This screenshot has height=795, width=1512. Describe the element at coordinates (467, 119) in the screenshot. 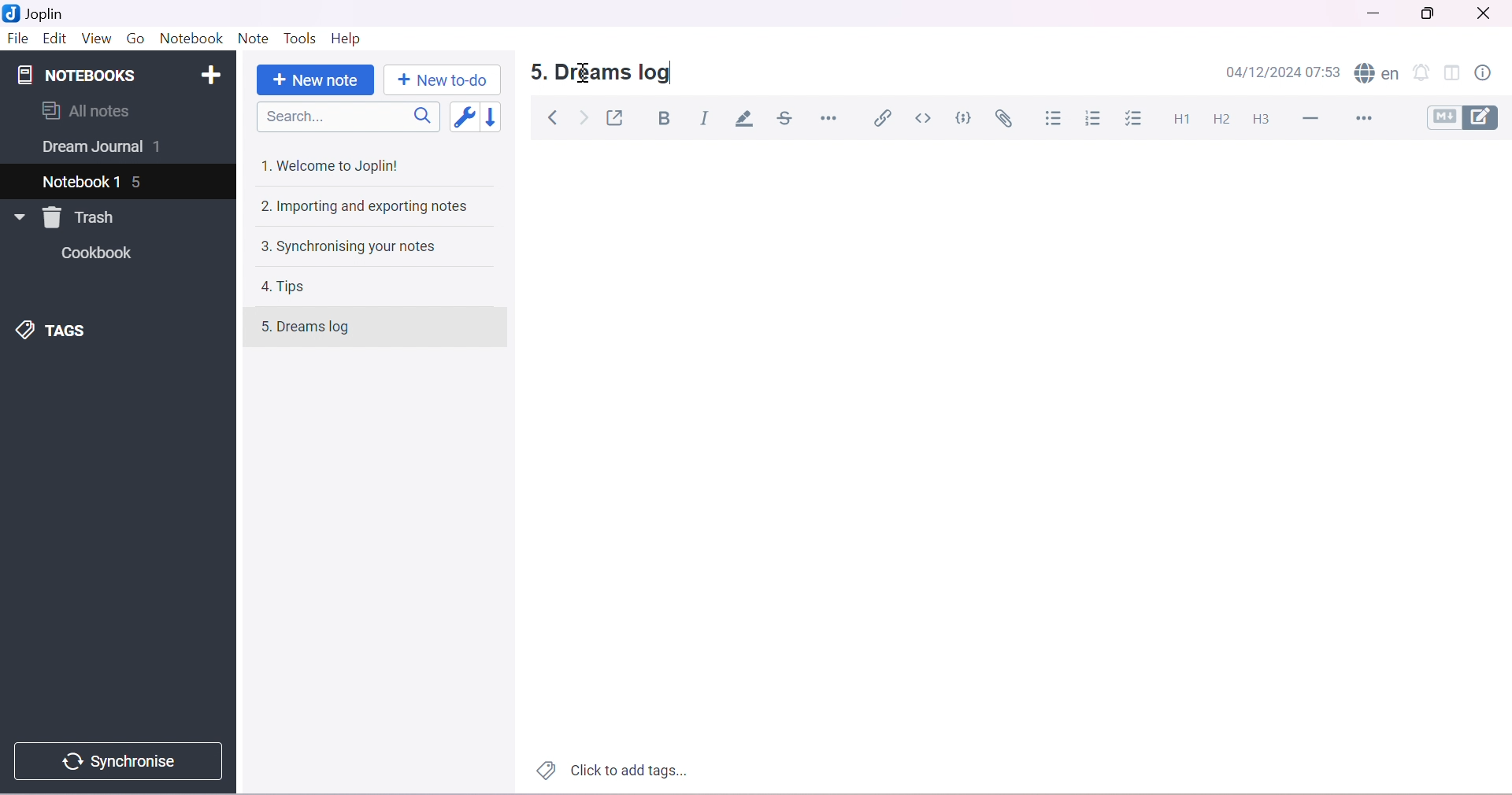

I see `Toggle sort order field` at that location.